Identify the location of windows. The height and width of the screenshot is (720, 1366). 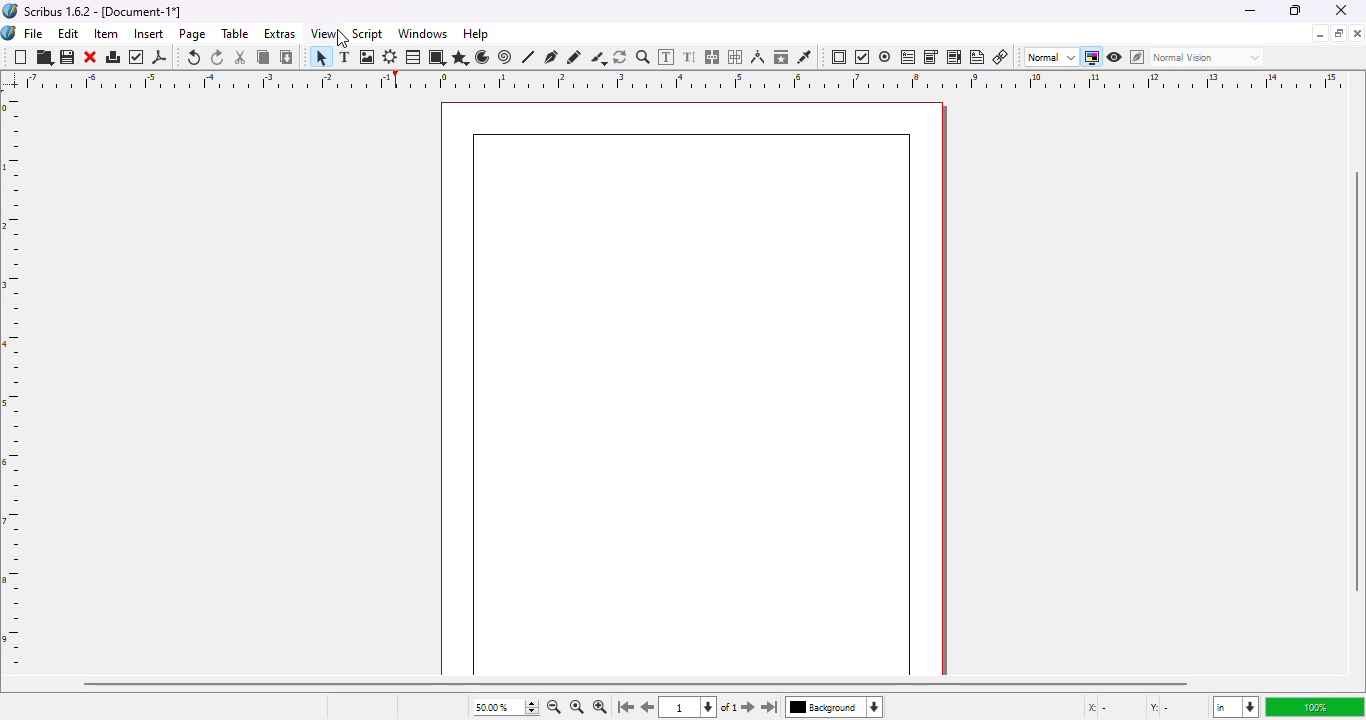
(423, 34).